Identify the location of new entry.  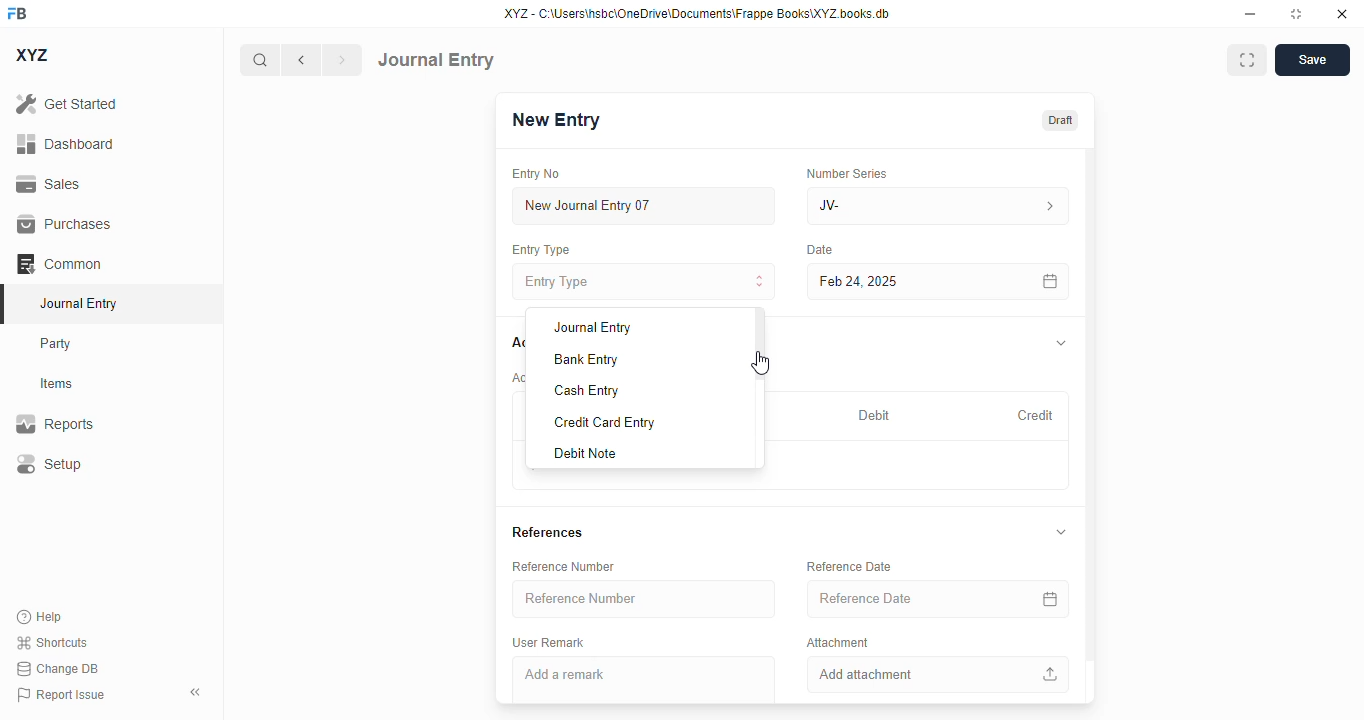
(557, 119).